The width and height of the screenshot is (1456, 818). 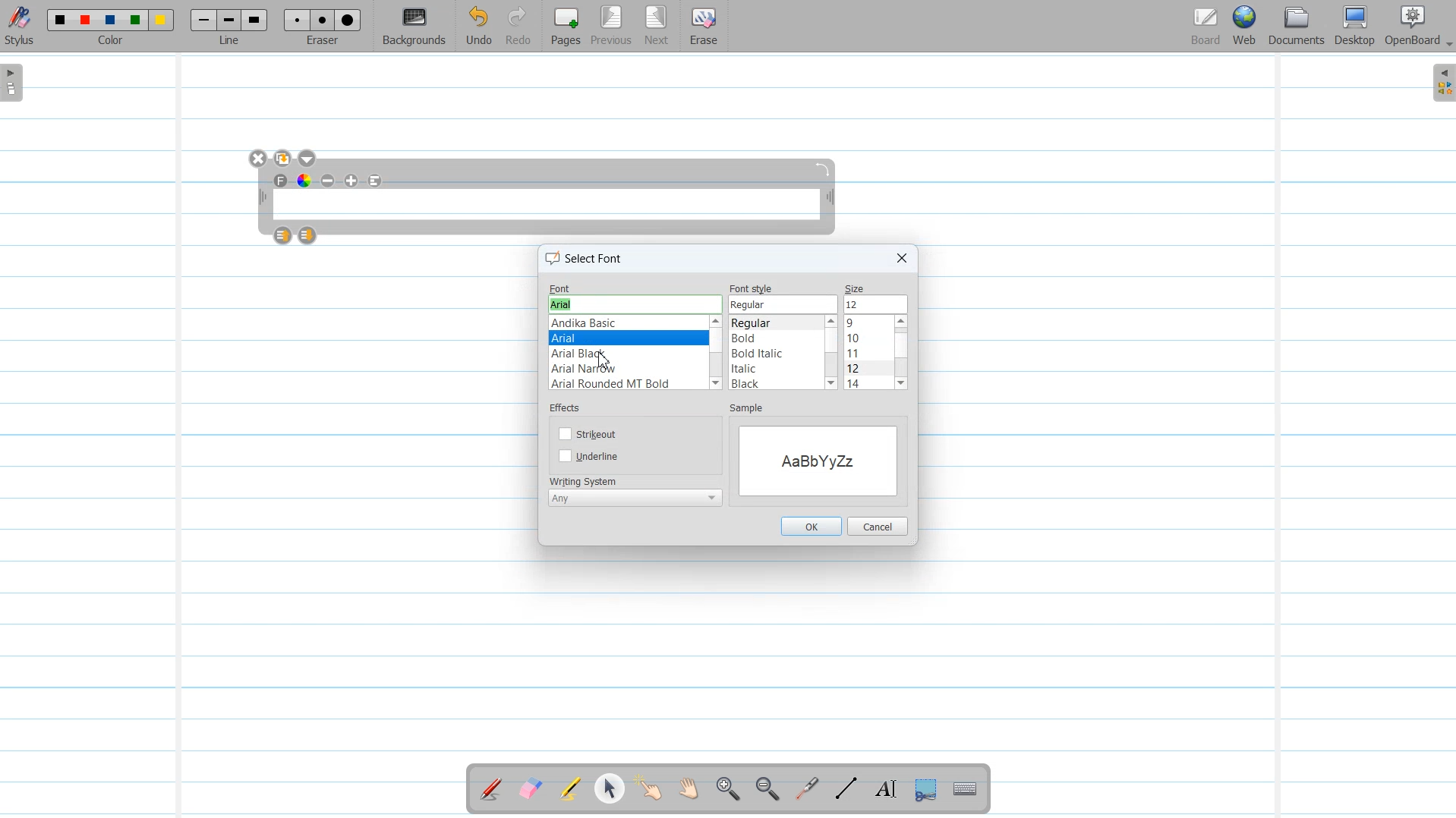 I want to click on Highlight, so click(x=570, y=791).